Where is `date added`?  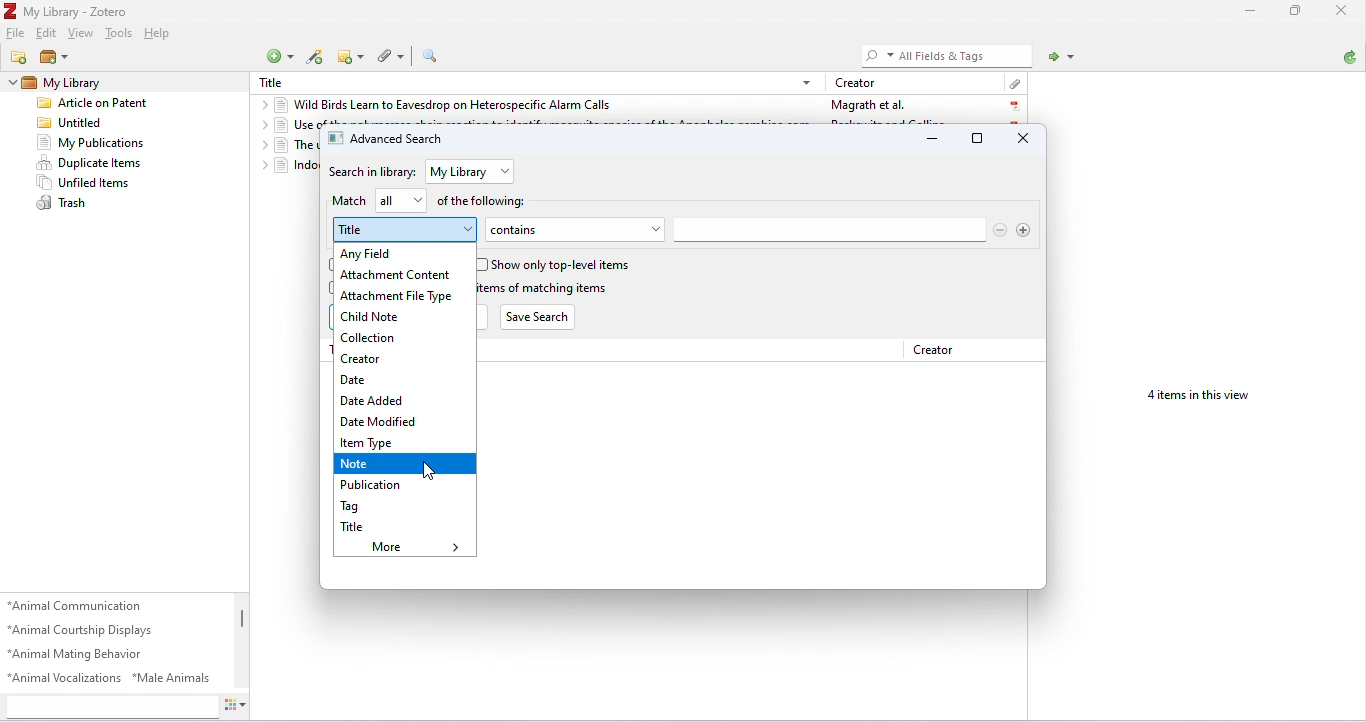
date added is located at coordinates (376, 401).